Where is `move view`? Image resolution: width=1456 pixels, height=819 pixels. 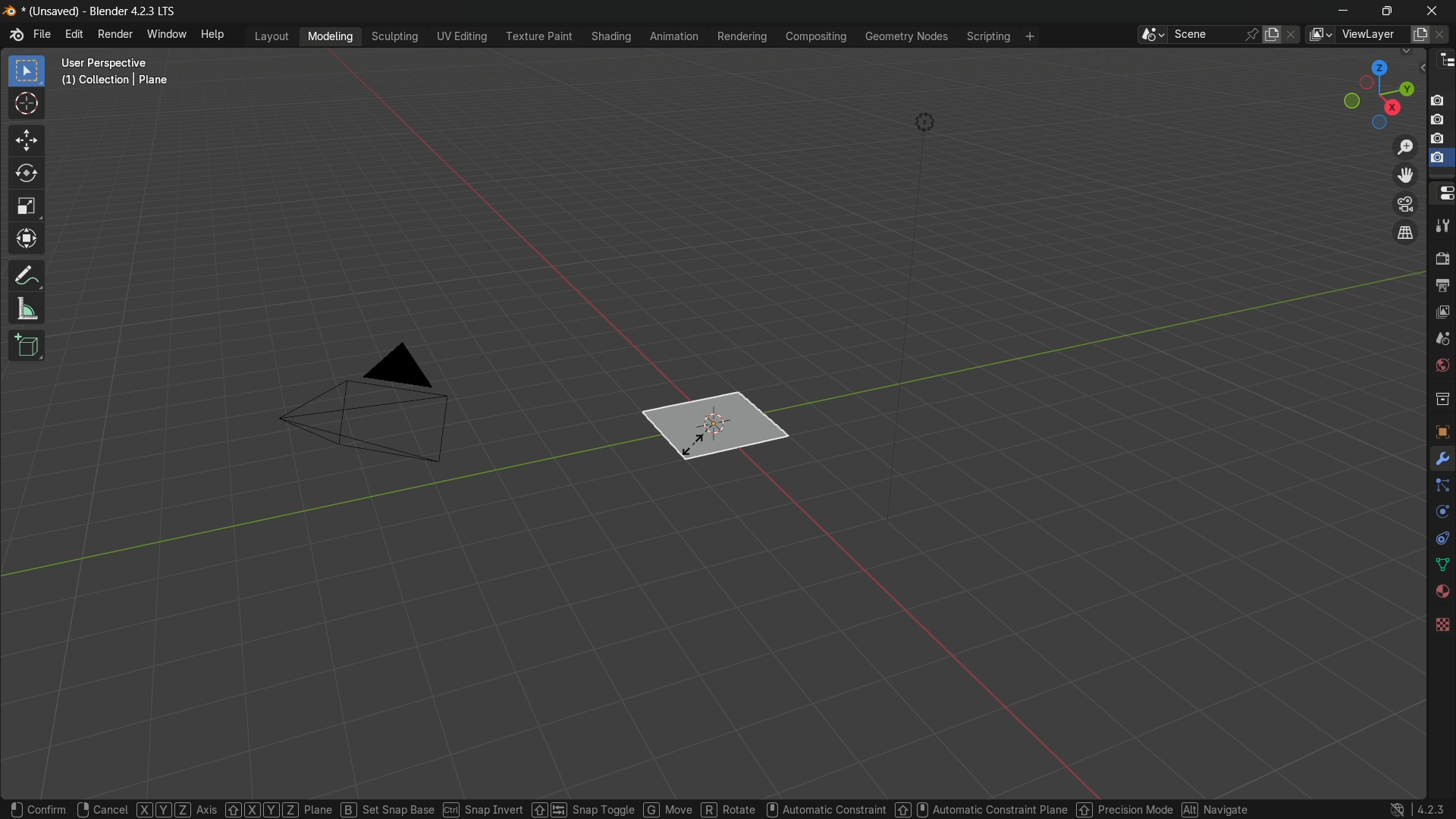
move view is located at coordinates (1406, 176).